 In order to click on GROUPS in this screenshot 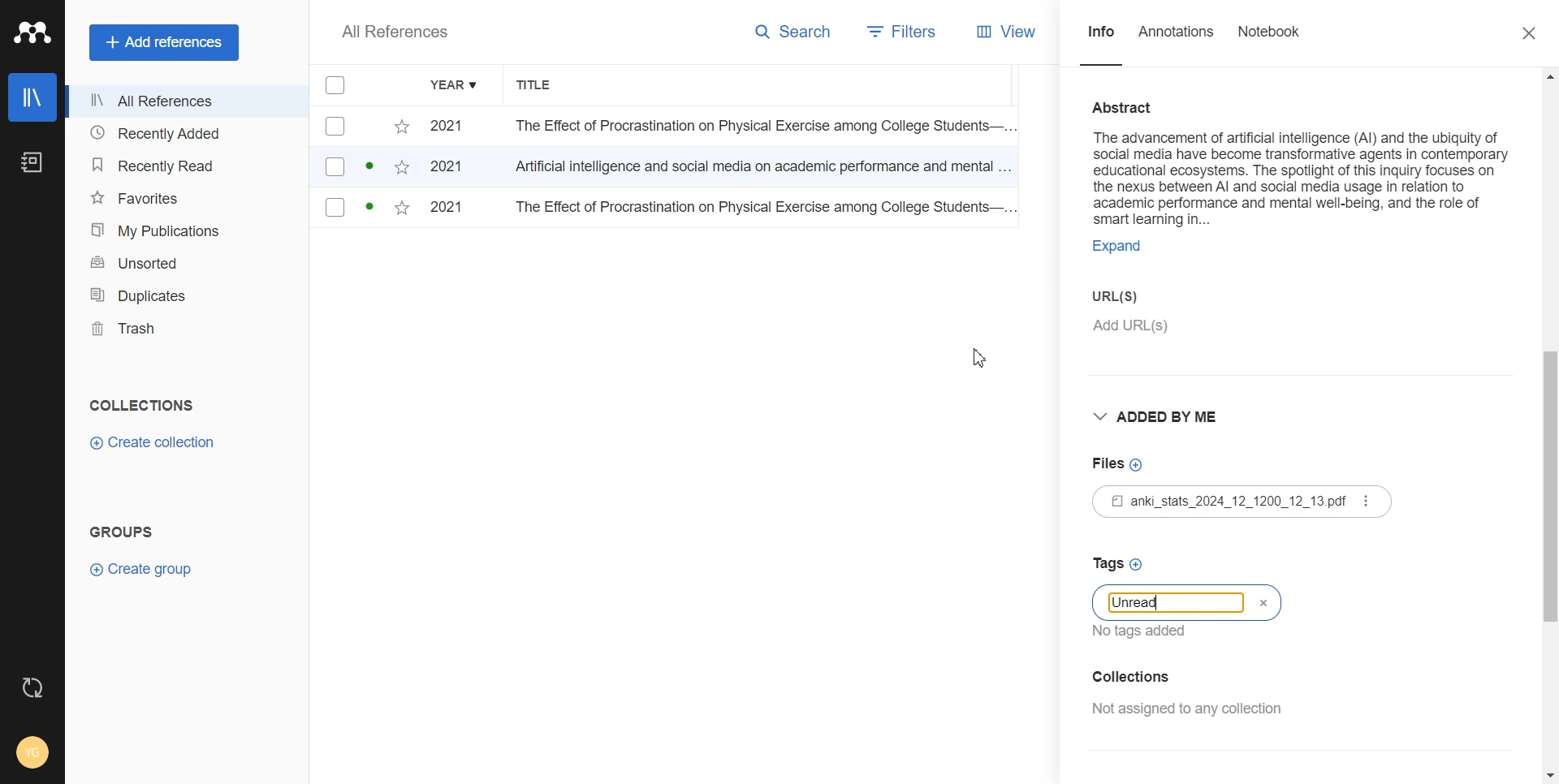, I will do `click(120, 530)`.